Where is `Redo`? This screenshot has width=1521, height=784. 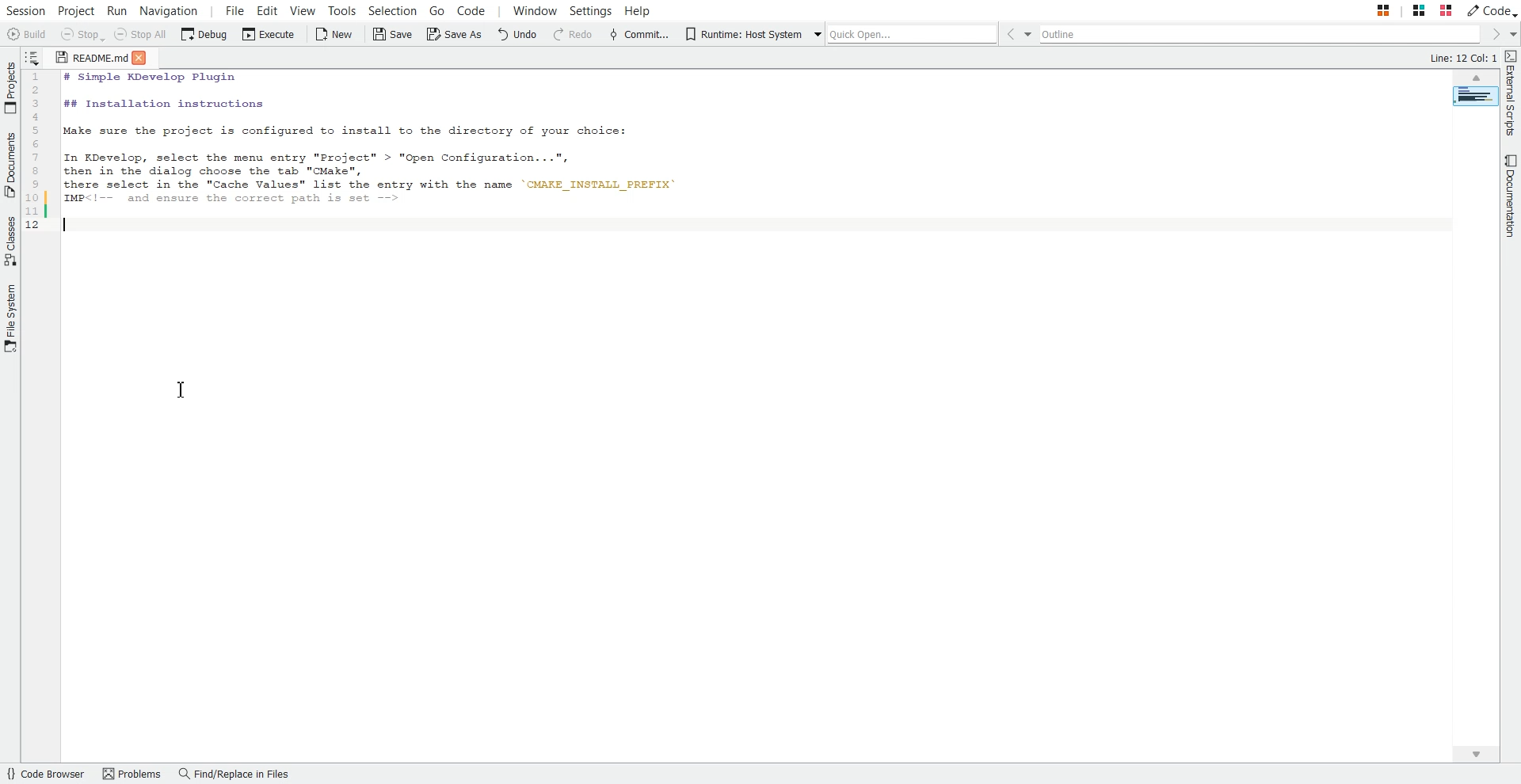
Redo is located at coordinates (574, 35).